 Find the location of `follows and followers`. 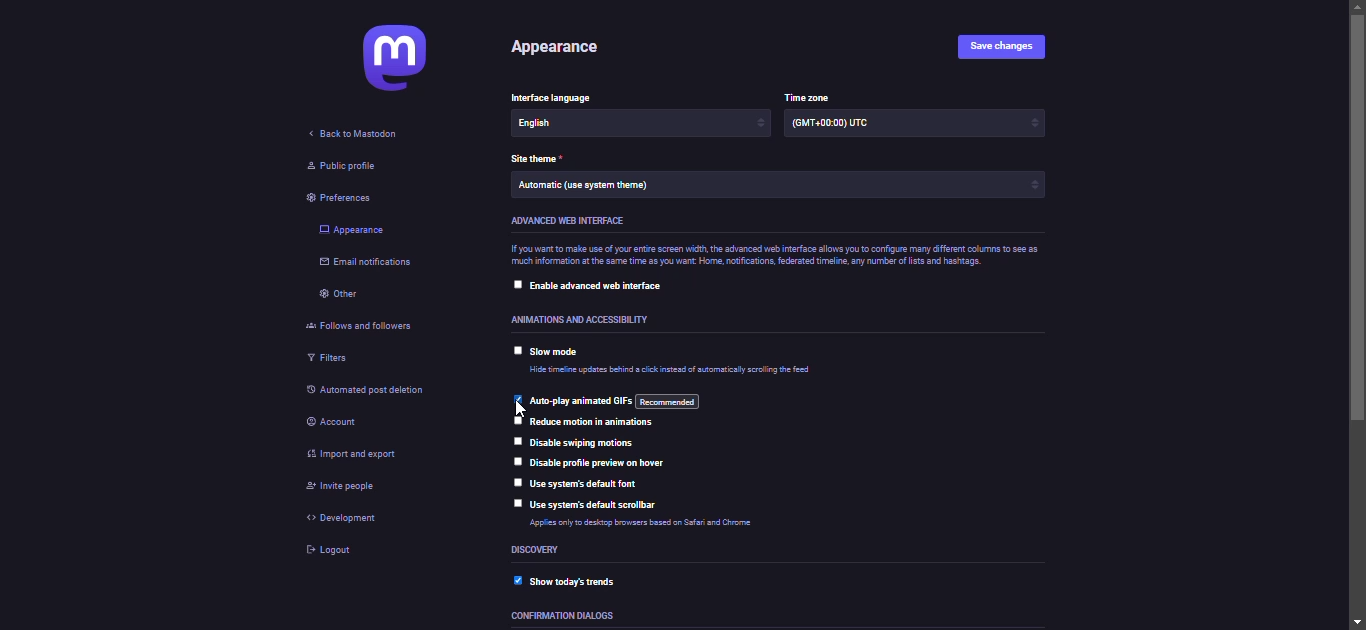

follows and followers is located at coordinates (370, 325).